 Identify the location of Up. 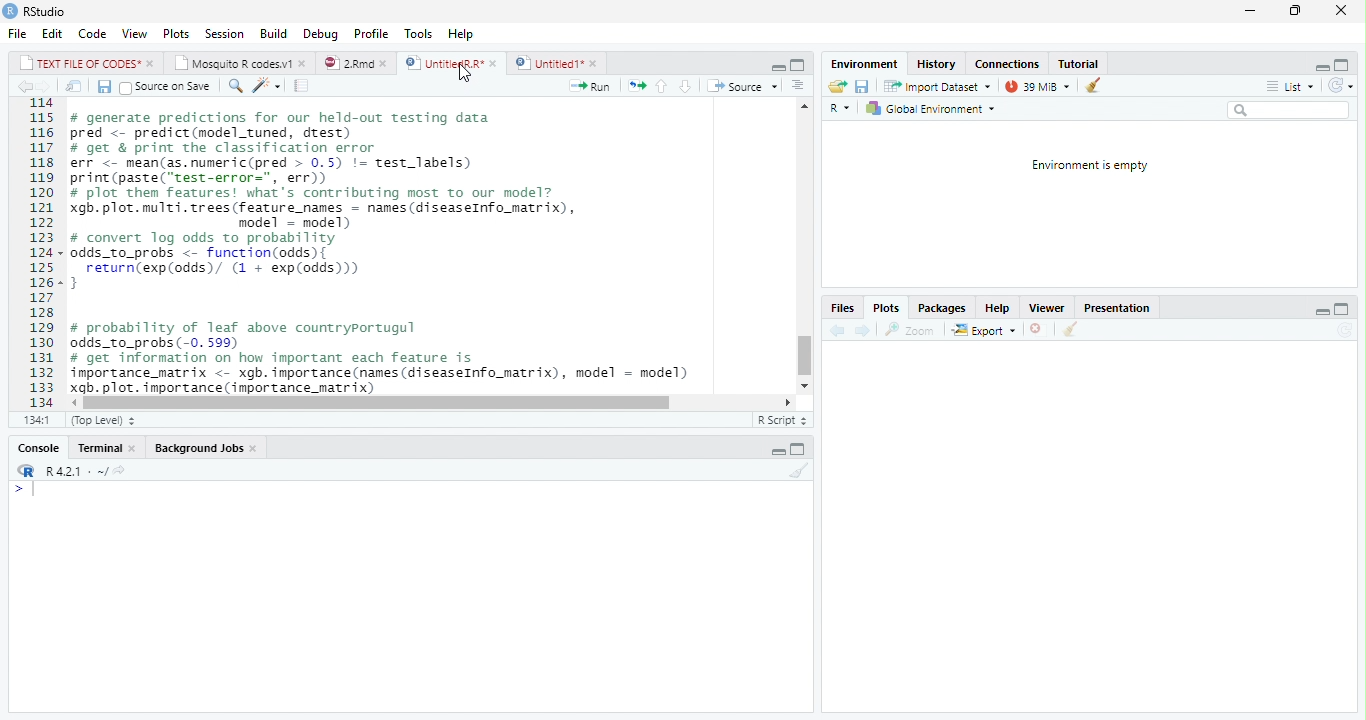
(660, 86).